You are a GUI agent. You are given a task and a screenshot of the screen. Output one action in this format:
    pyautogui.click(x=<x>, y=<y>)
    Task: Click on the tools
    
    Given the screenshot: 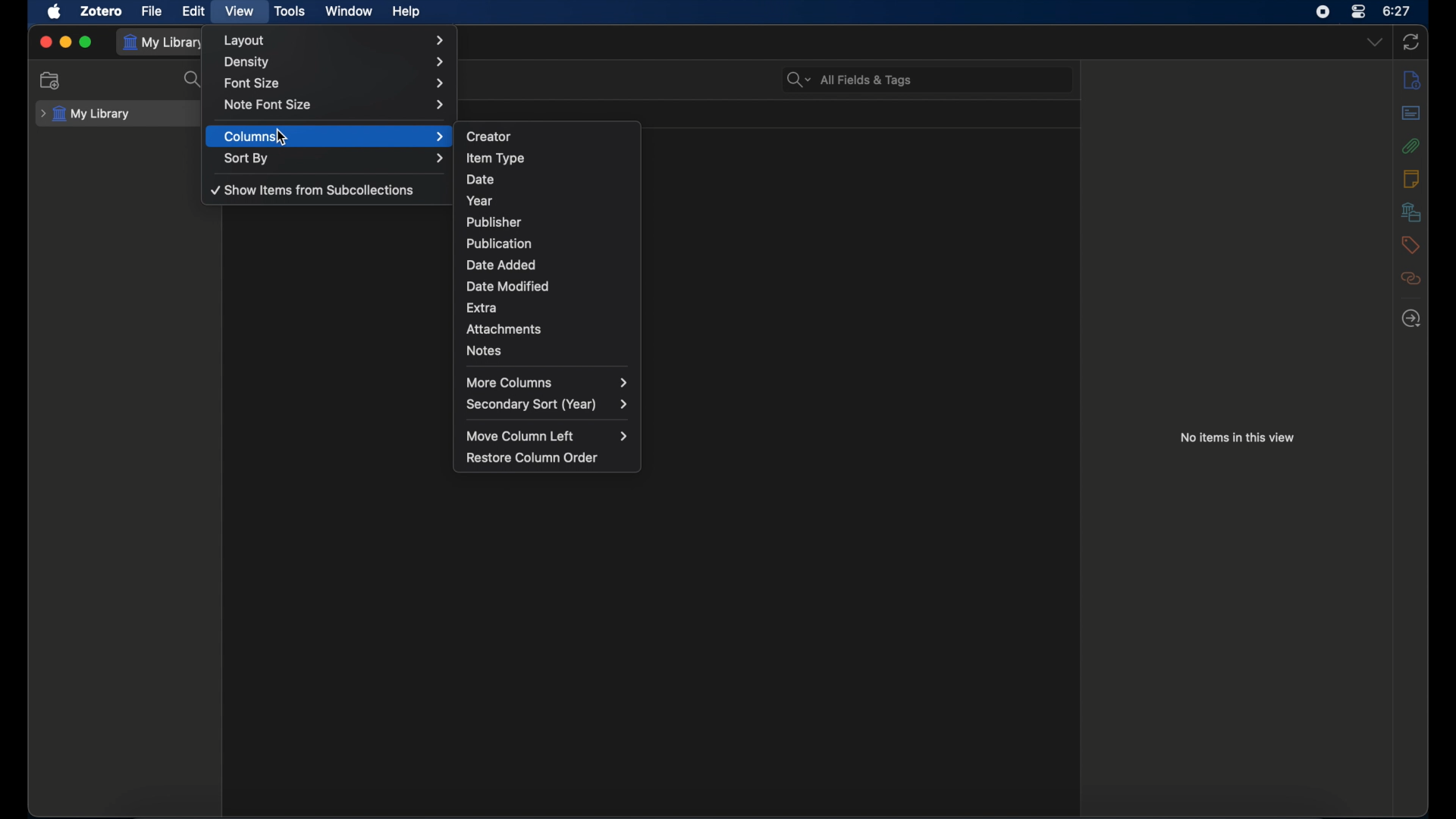 What is the action you would take?
    pyautogui.click(x=290, y=11)
    